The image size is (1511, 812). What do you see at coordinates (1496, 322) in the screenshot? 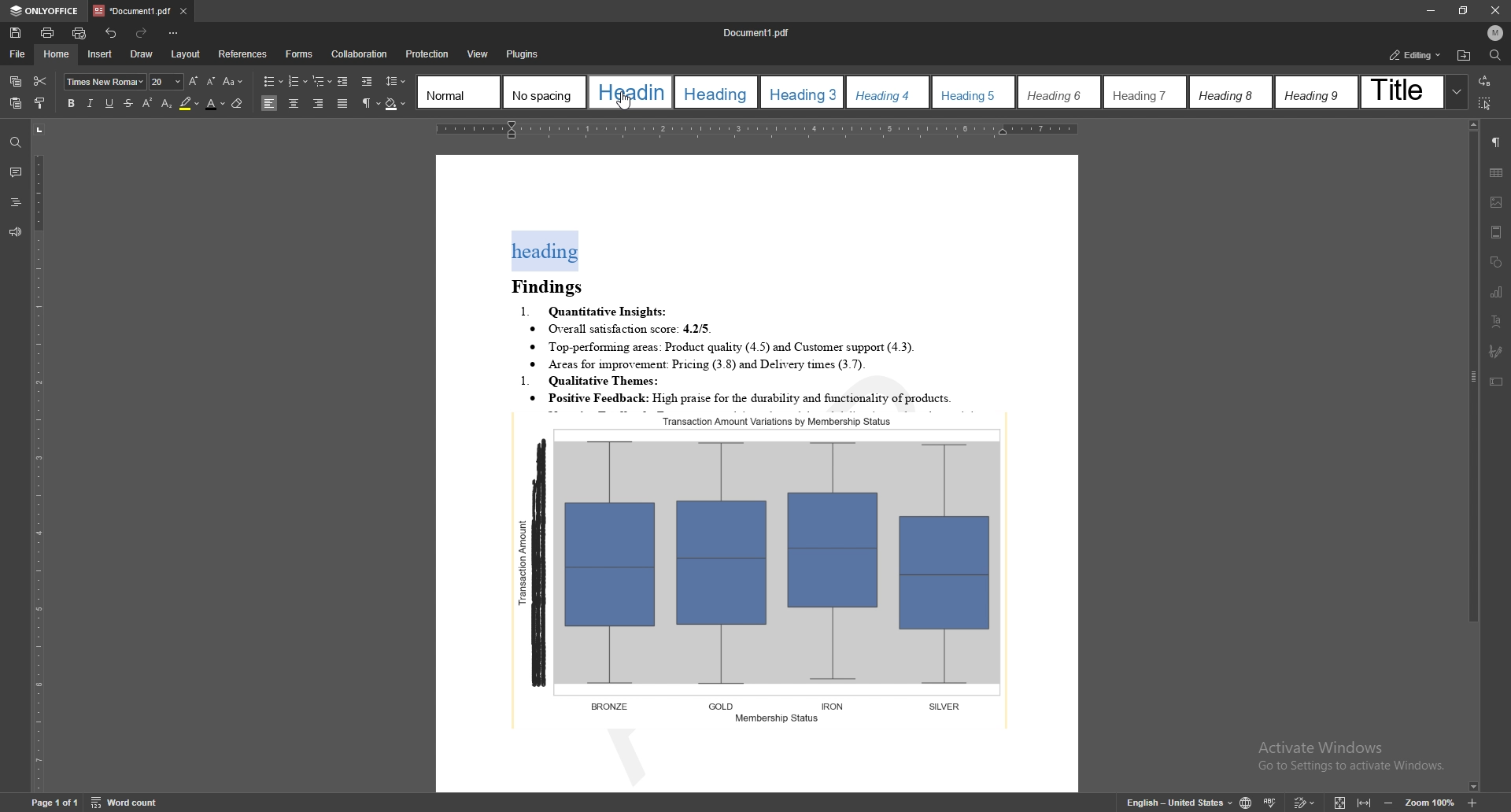
I see `text art` at bounding box center [1496, 322].